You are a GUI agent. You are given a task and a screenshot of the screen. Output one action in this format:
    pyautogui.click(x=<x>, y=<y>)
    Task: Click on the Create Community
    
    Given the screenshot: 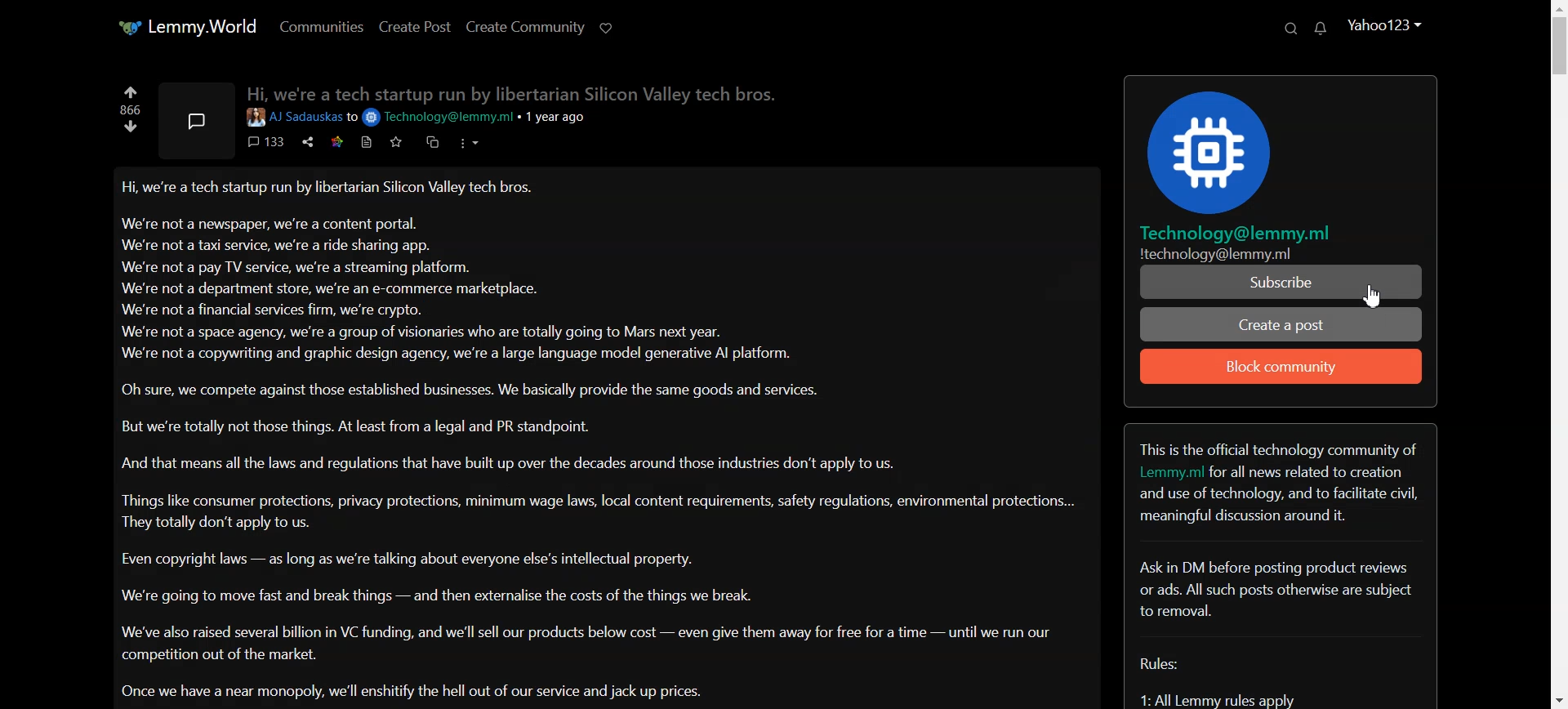 What is the action you would take?
    pyautogui.click(x=530, y=26)
    